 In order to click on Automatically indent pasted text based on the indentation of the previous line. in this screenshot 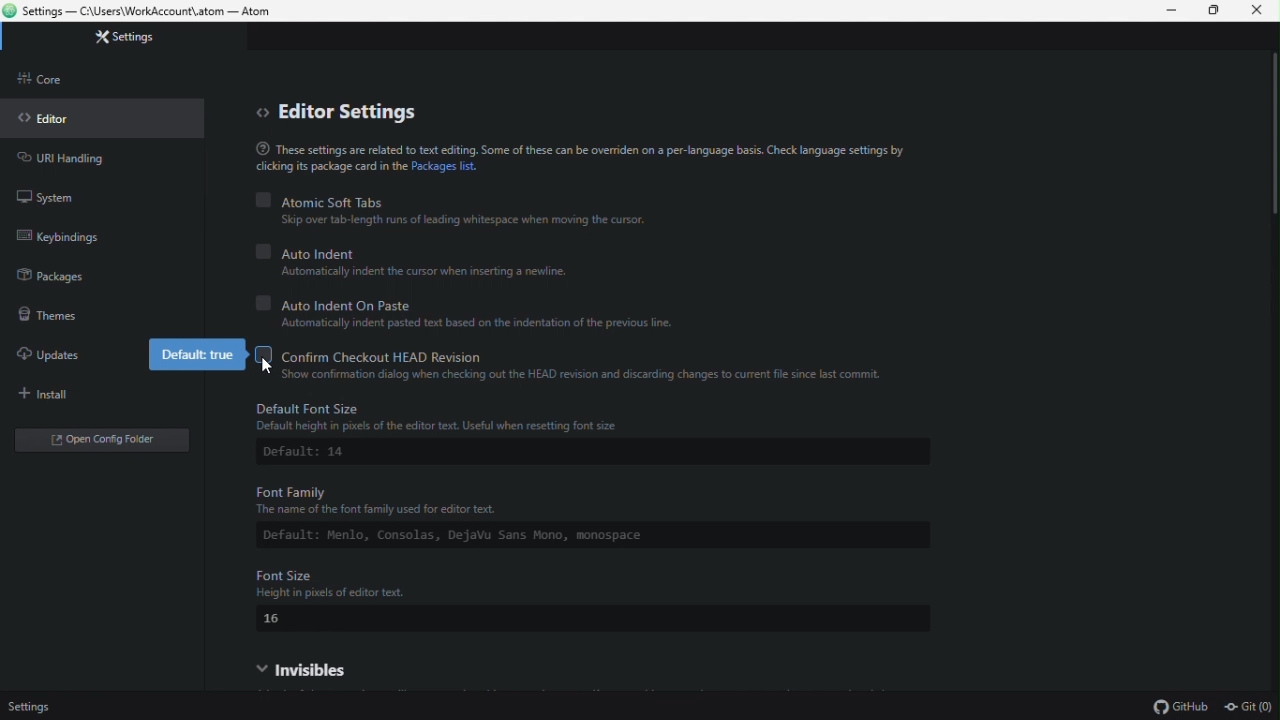, I will do `click(484, 324)`.